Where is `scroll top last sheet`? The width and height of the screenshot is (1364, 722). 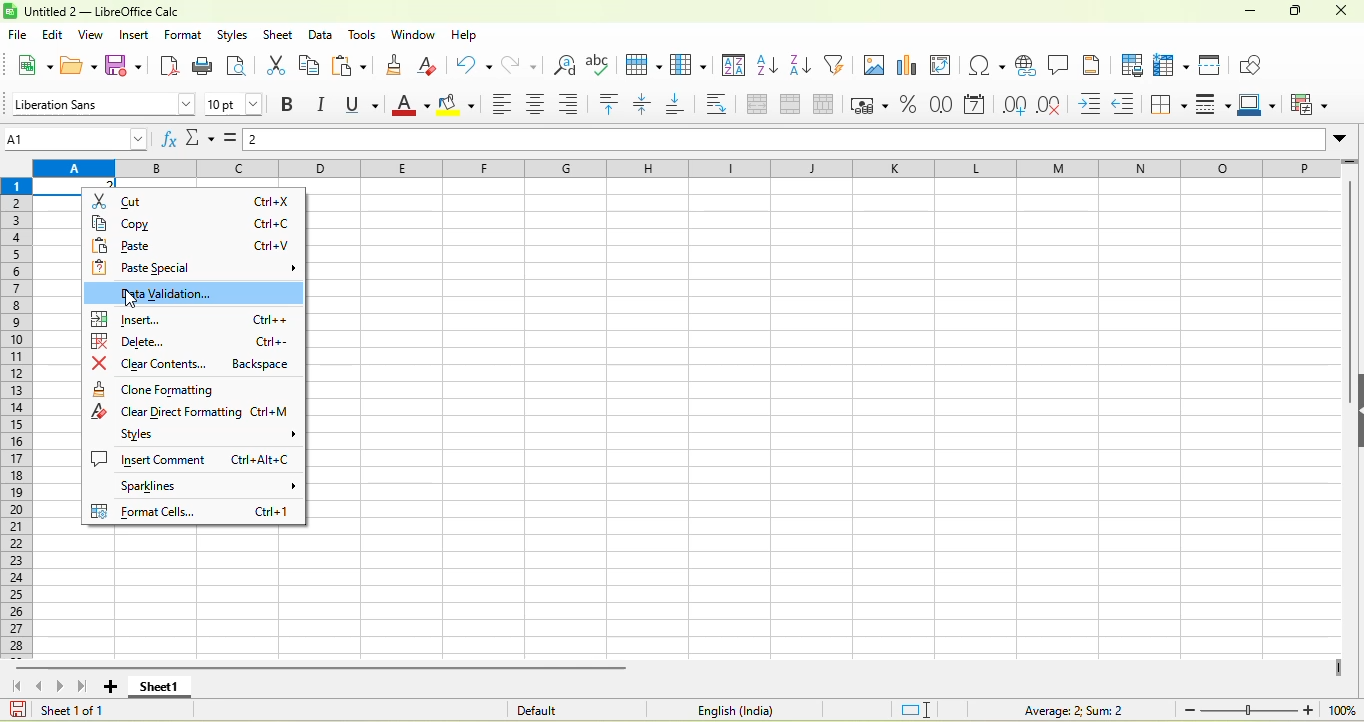 scroll top last sheet is located at coordinates (86, 686).